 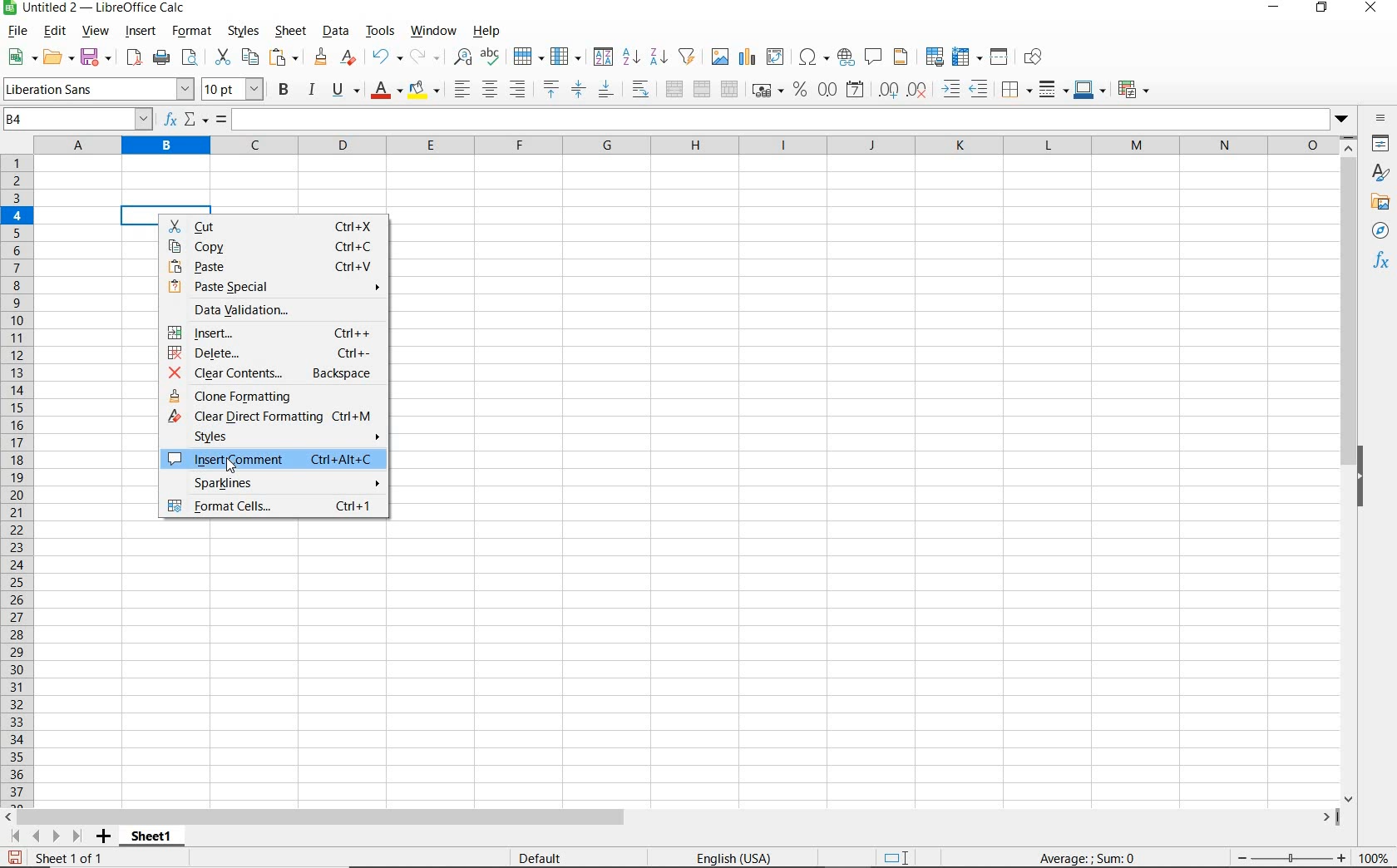 I want to click on columns, so click(x=688, y=145).